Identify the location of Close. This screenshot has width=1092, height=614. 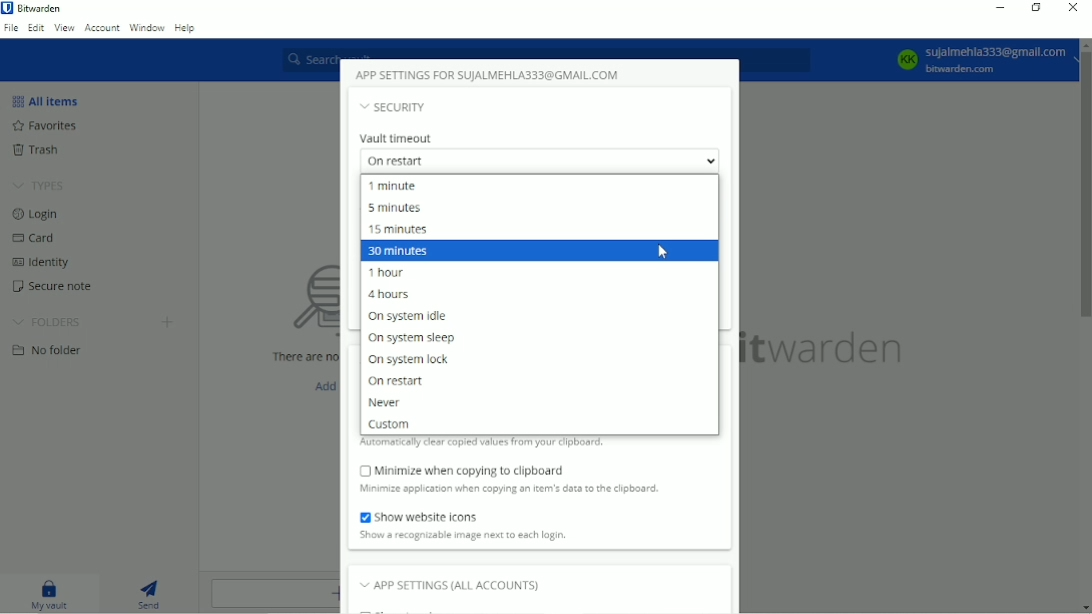
(1074, 9).